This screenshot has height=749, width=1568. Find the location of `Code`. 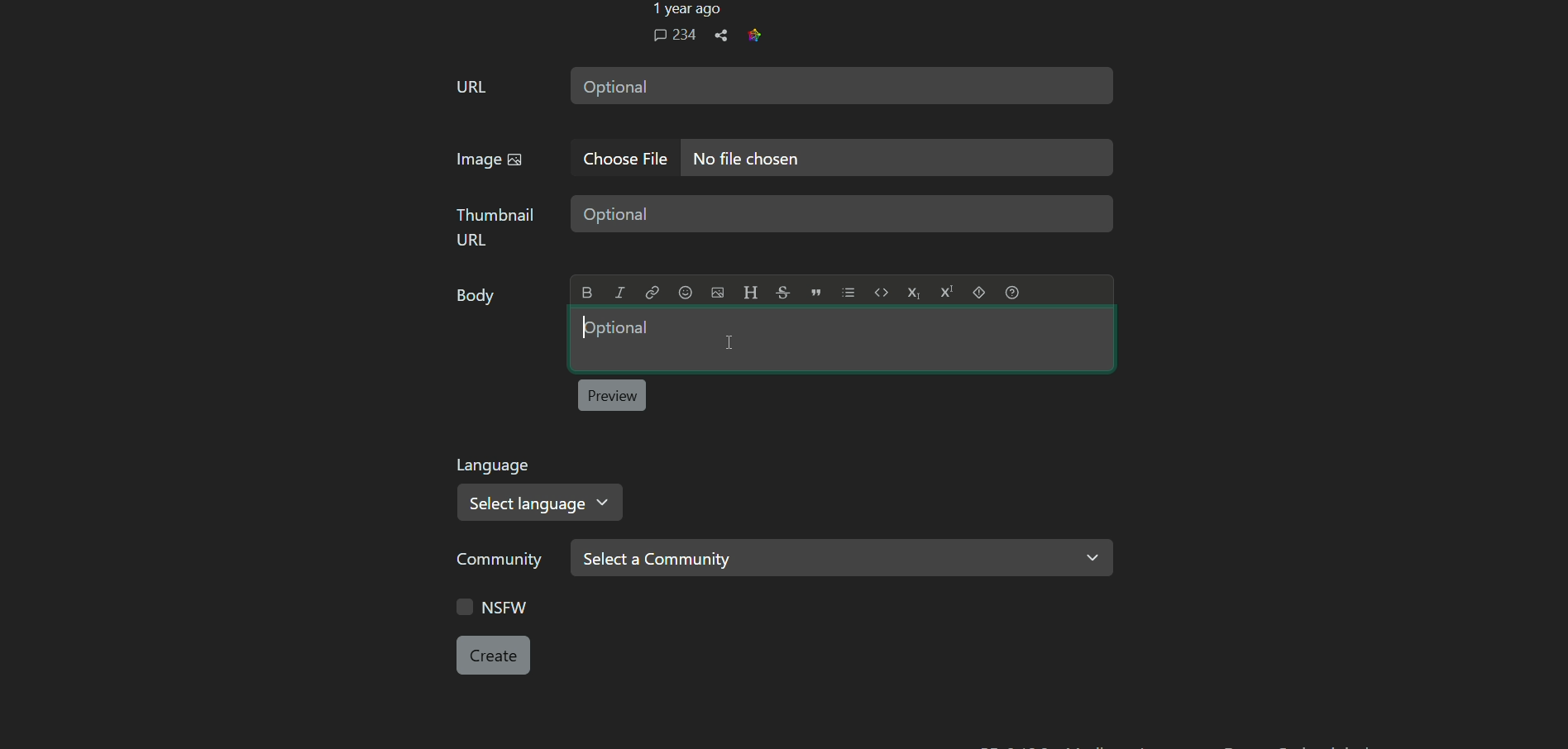

Code is located at coordinates (882, 292).